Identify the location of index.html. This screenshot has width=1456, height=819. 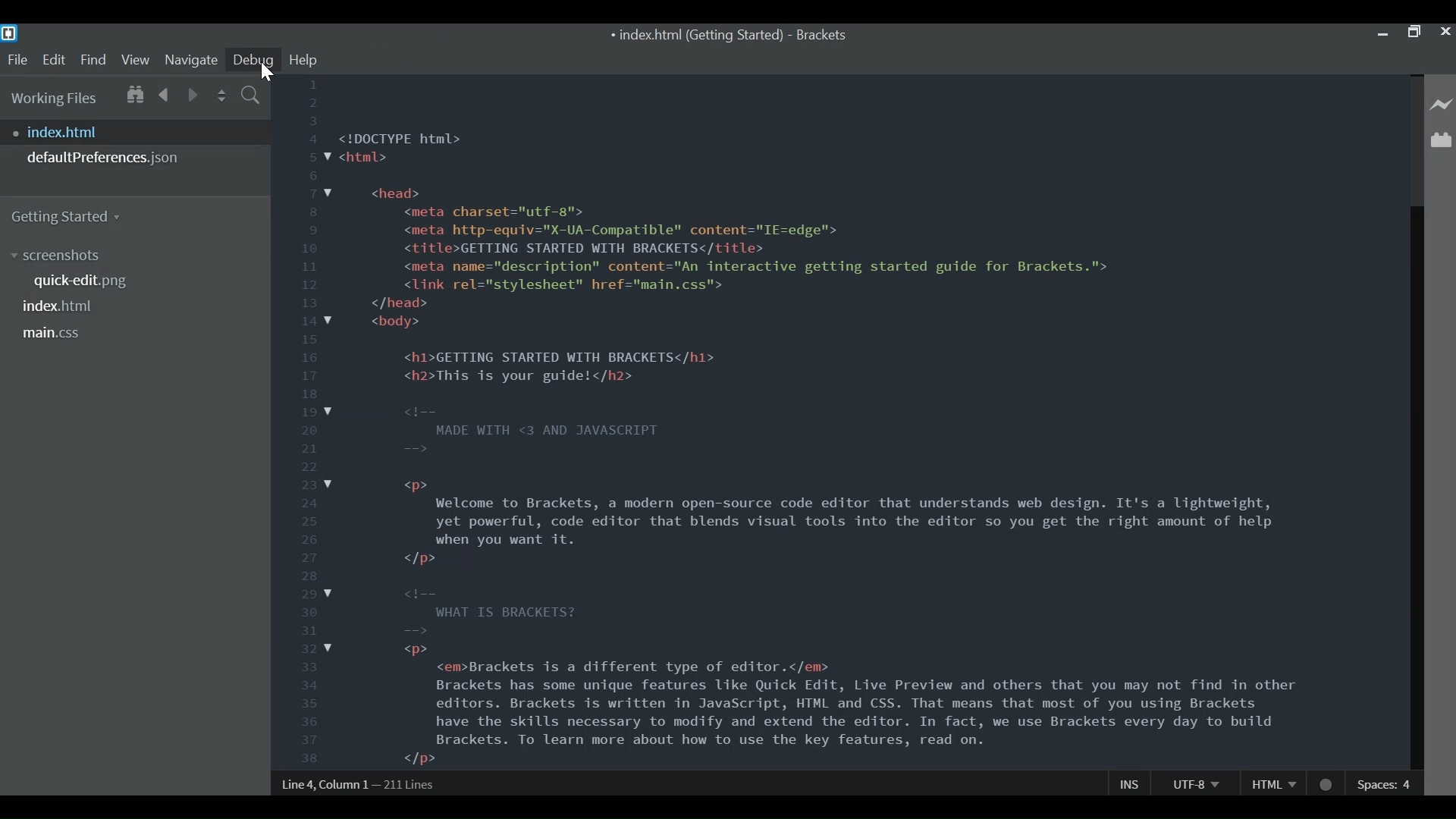
(60, 306).